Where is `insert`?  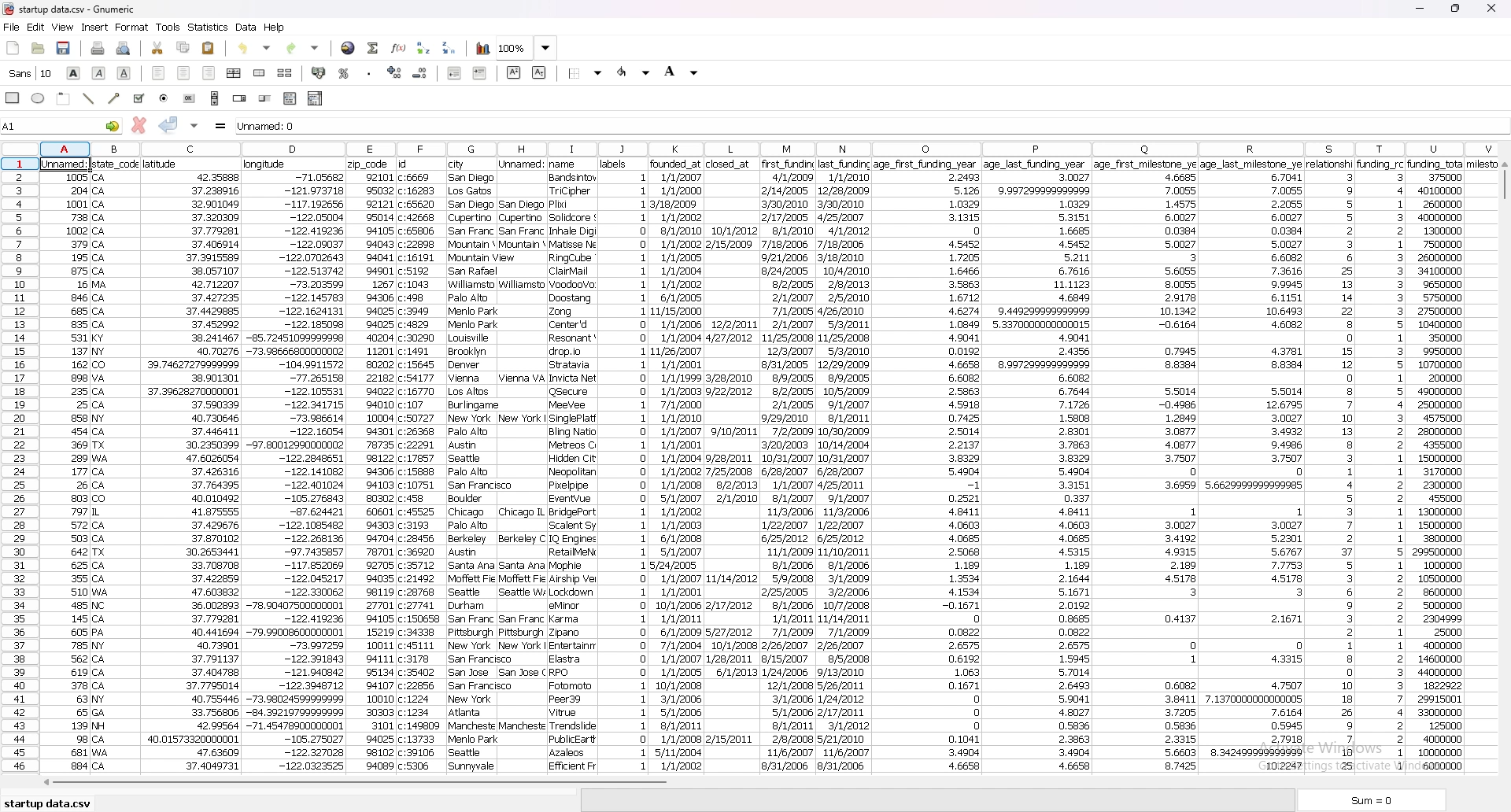
insert is located at coordinates (94, 28).